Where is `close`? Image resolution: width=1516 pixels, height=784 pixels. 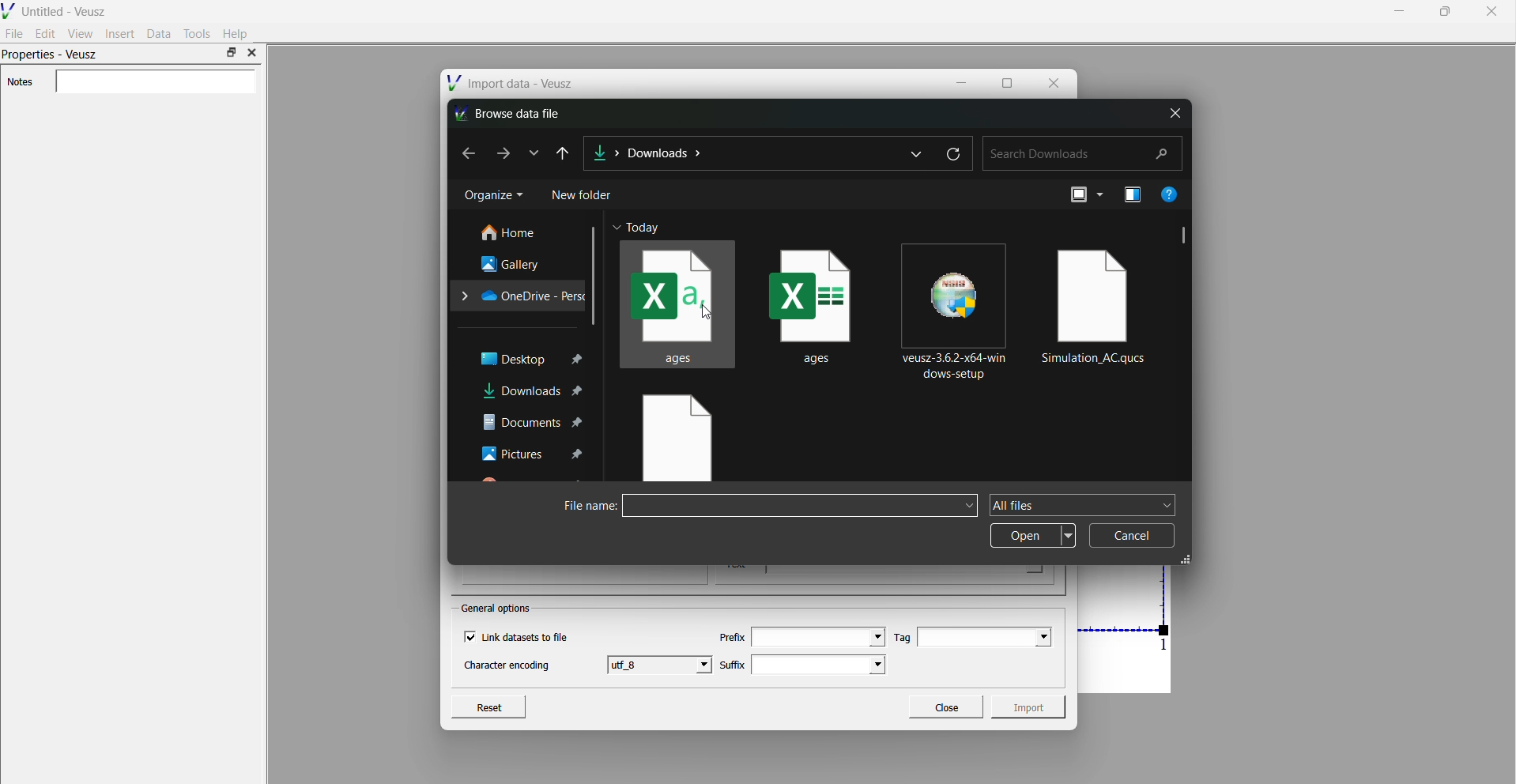
close is located at coordinates (1053, 81).